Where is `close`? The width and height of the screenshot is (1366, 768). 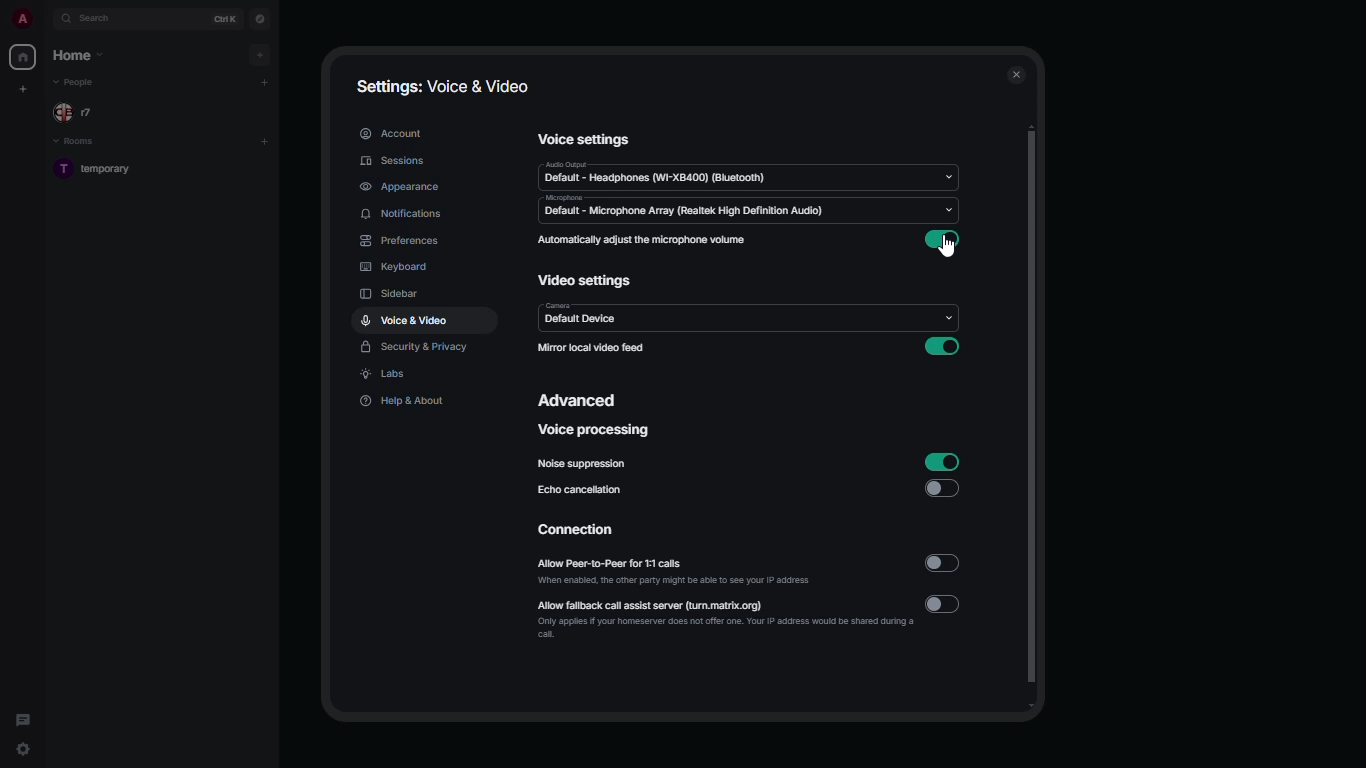
close is located at coordinates (1018, 72).